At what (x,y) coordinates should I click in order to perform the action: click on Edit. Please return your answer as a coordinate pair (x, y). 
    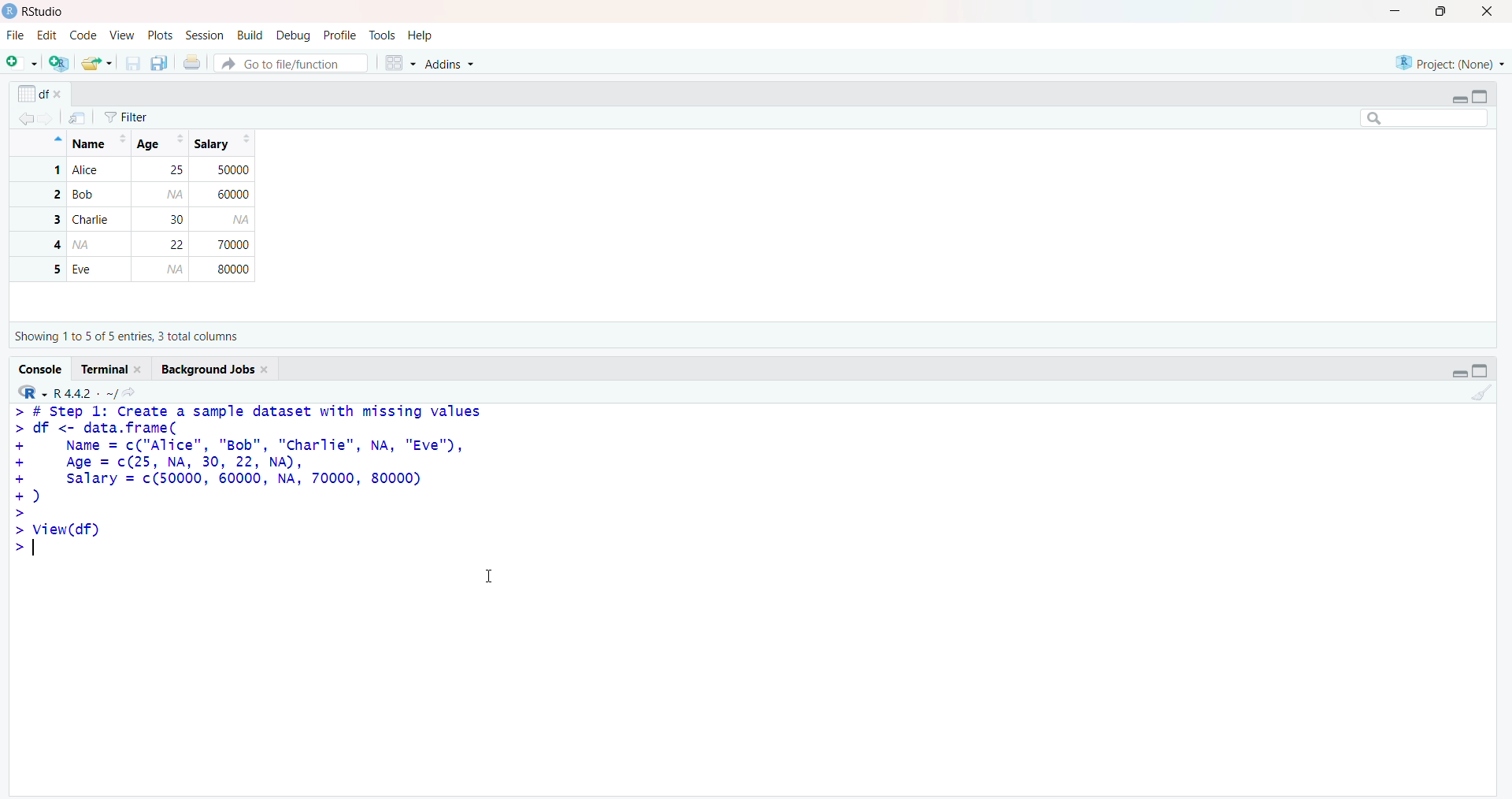
    Looking at the image, I should click on (48, 37).